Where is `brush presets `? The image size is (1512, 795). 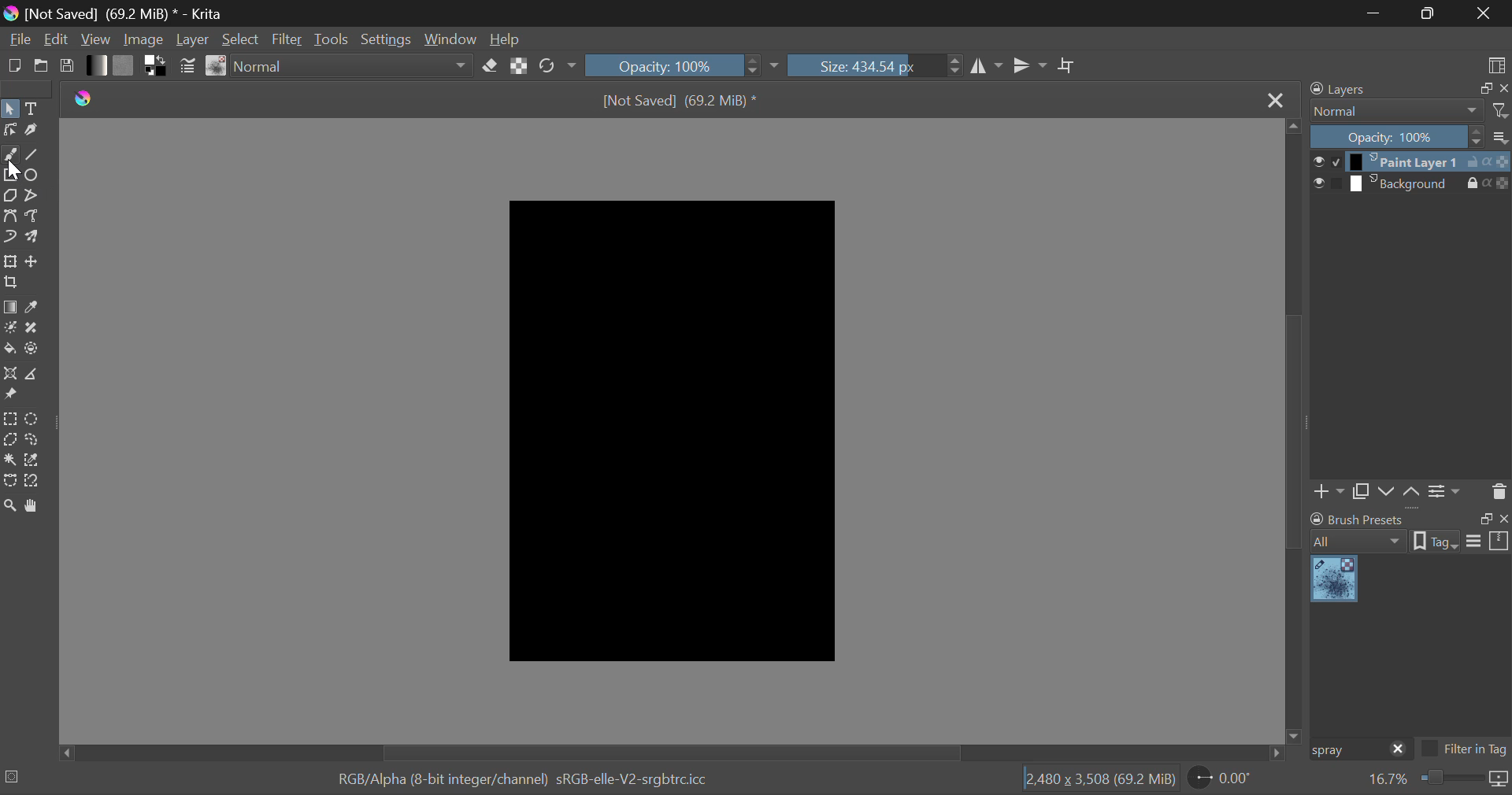 brush presets  is located at coordinates (1358, 519).